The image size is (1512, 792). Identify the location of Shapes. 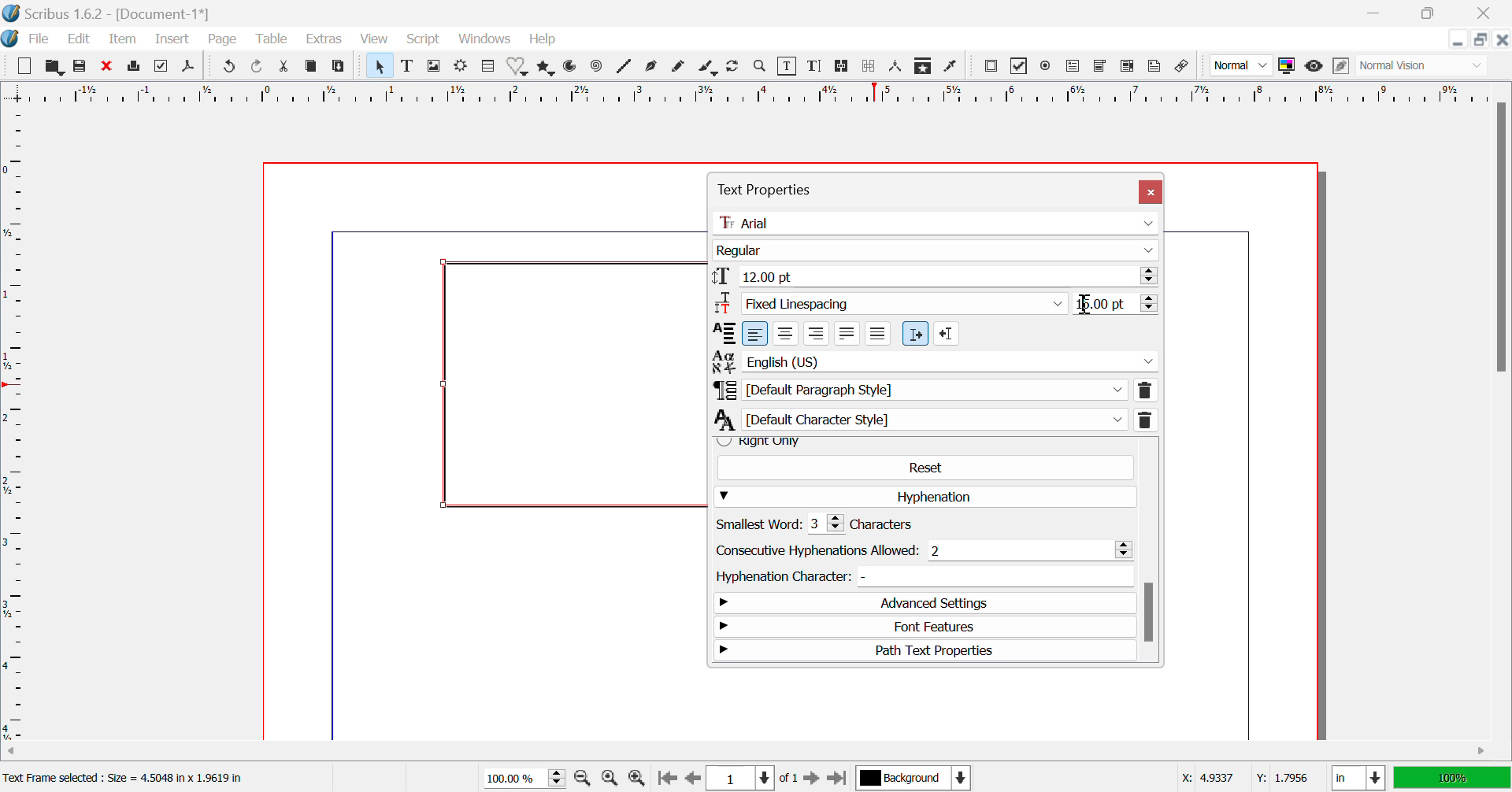
(520, 68).